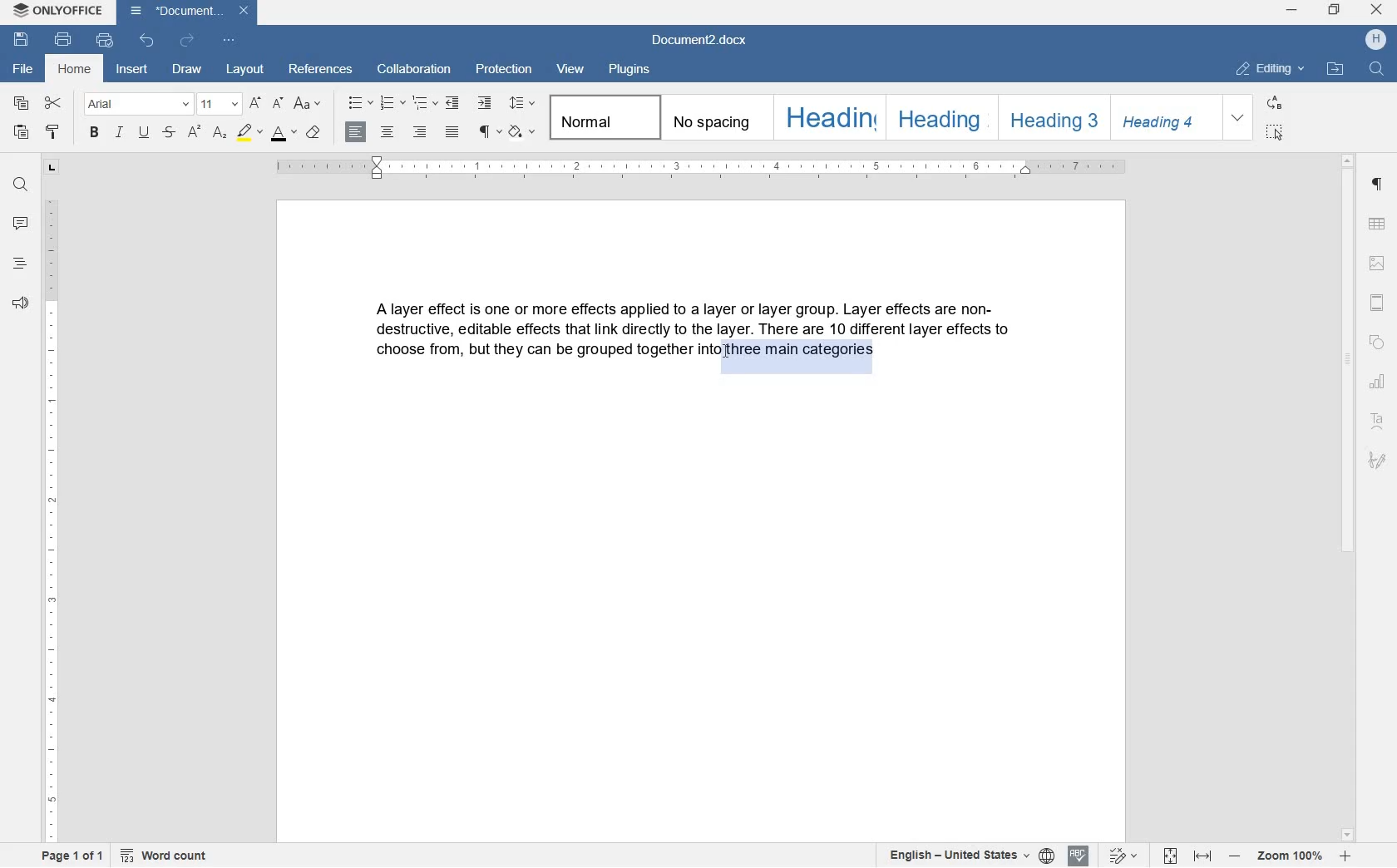  Describe the element at coordinates (68, 856) in the screenshot. I see `page 1 of 1` at that location.